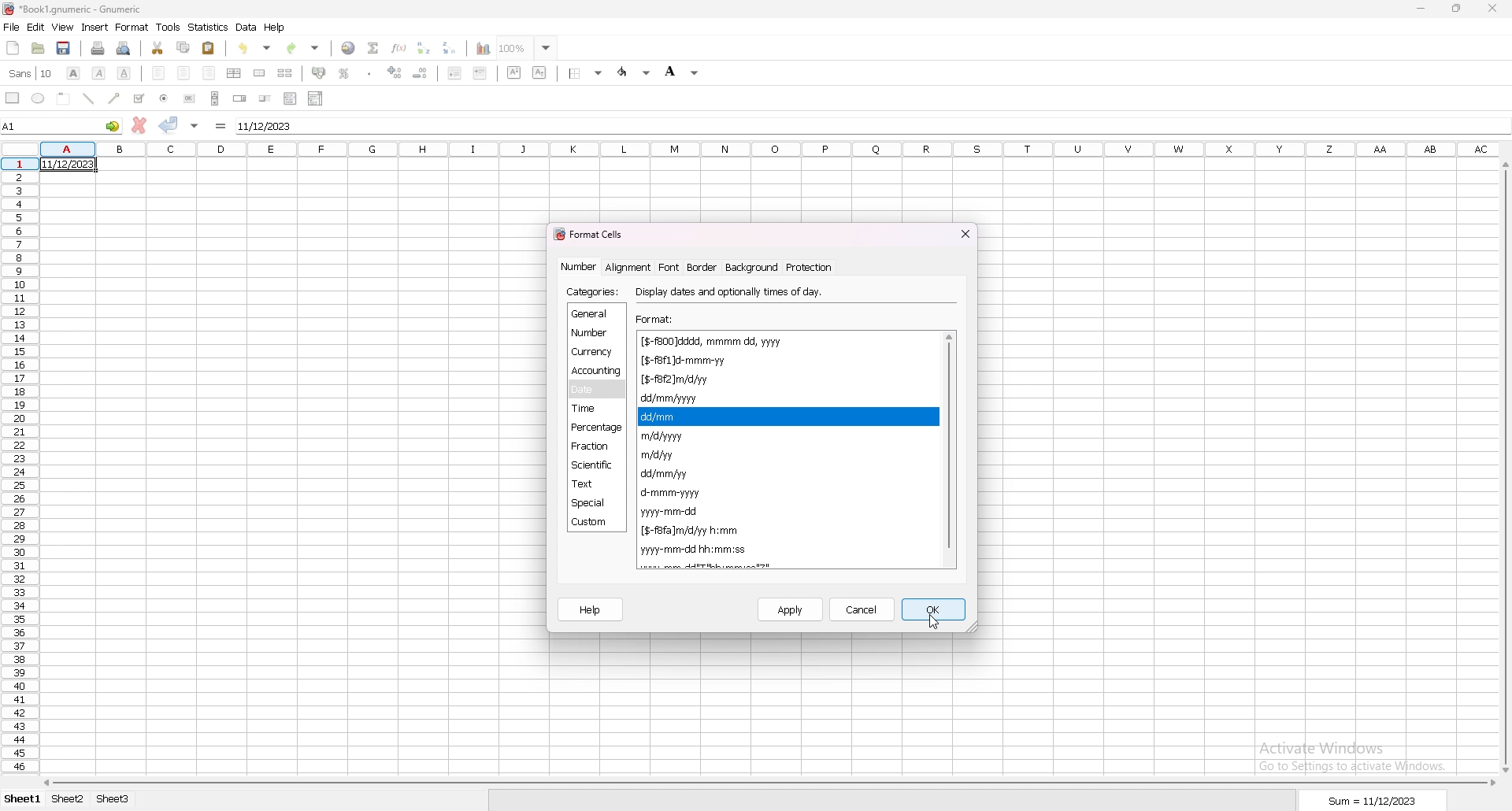 The height and width of the screenshot is (811, 1512). I want to click on frame, so click(64, 98).